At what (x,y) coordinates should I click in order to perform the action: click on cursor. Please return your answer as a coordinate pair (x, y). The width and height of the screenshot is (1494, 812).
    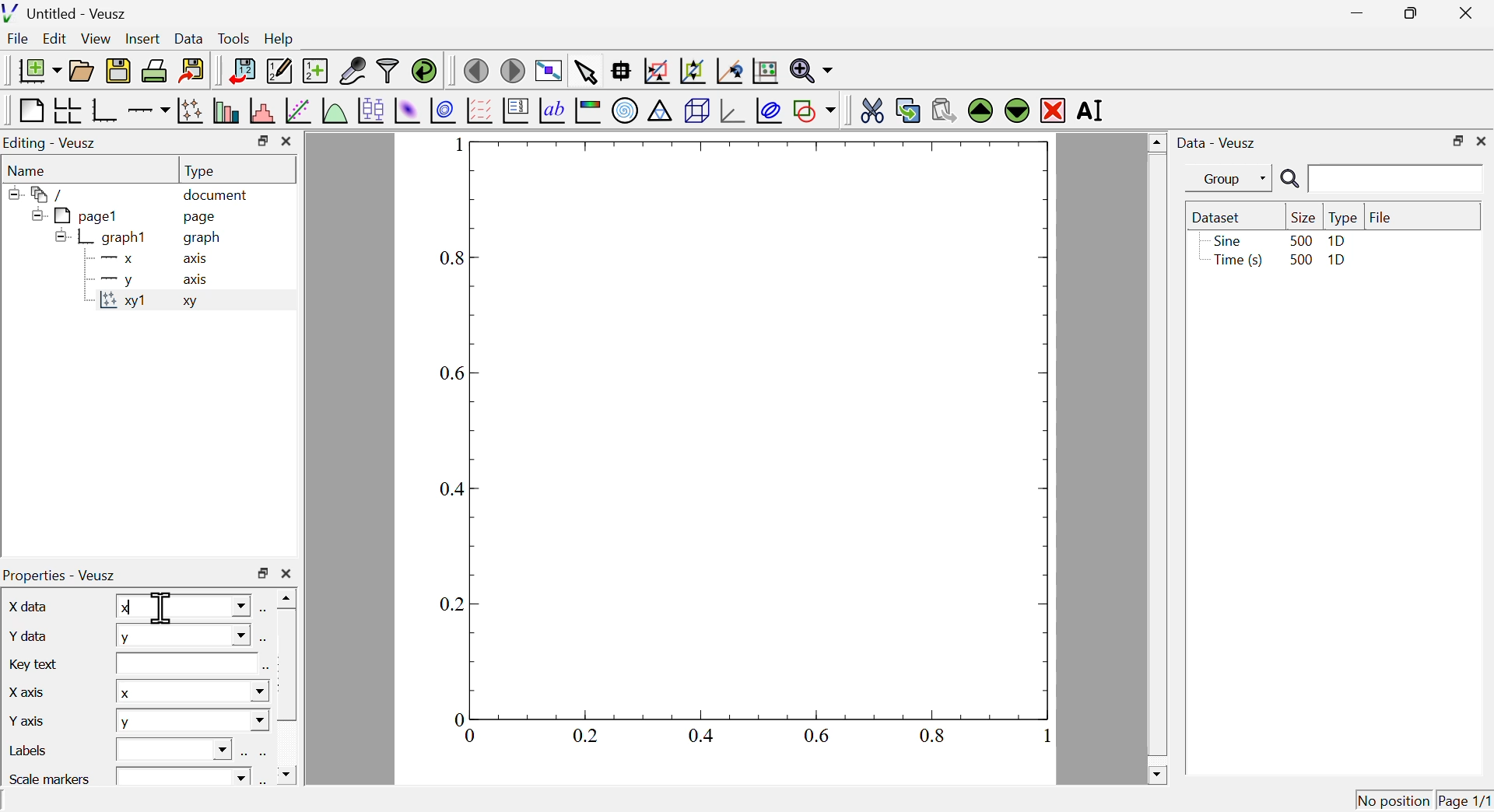
    Looking at the image, I should click on (161, 607).